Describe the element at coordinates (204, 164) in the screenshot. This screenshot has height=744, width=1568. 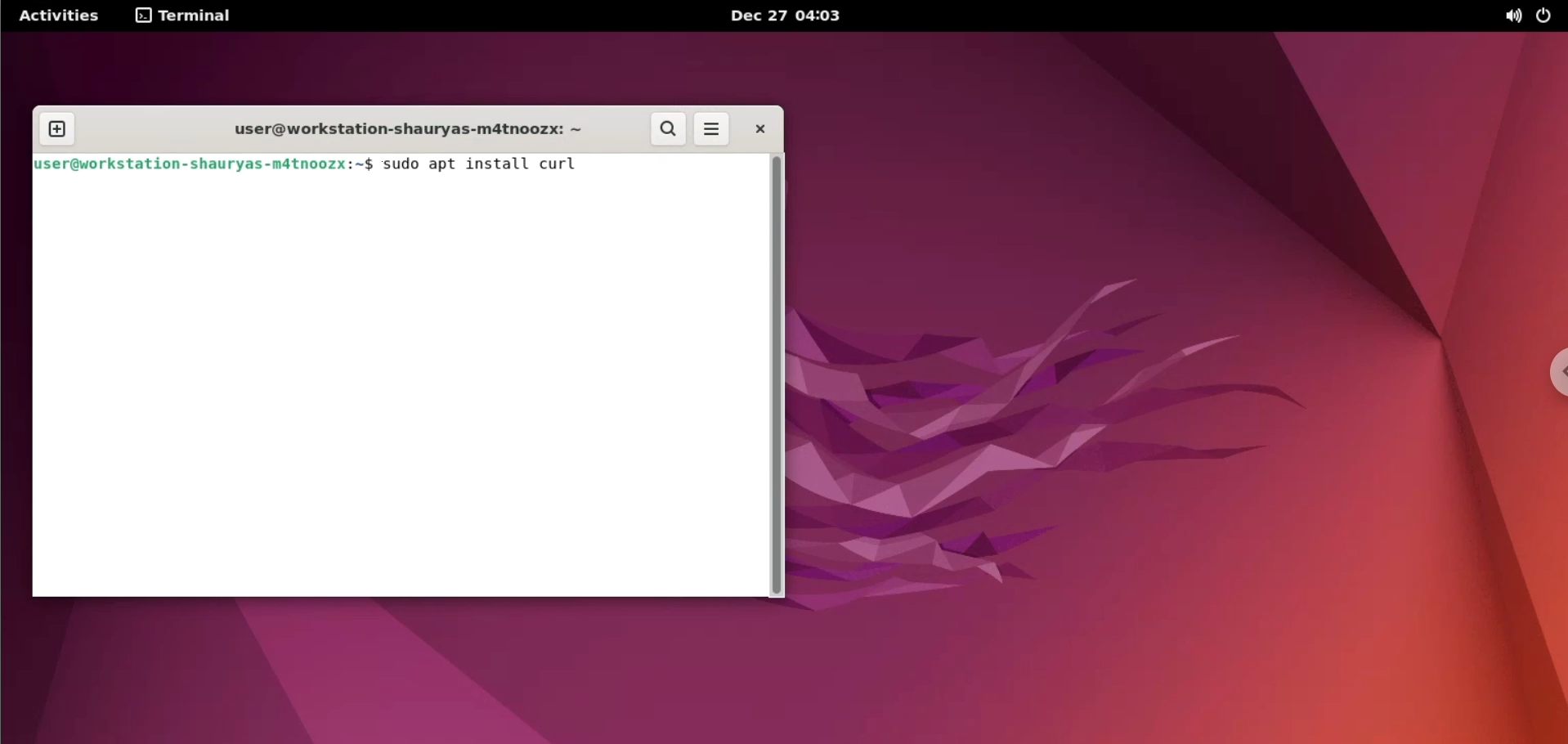
I see `user@workstation-shauryas-m4tnoozx:-$` at that location.